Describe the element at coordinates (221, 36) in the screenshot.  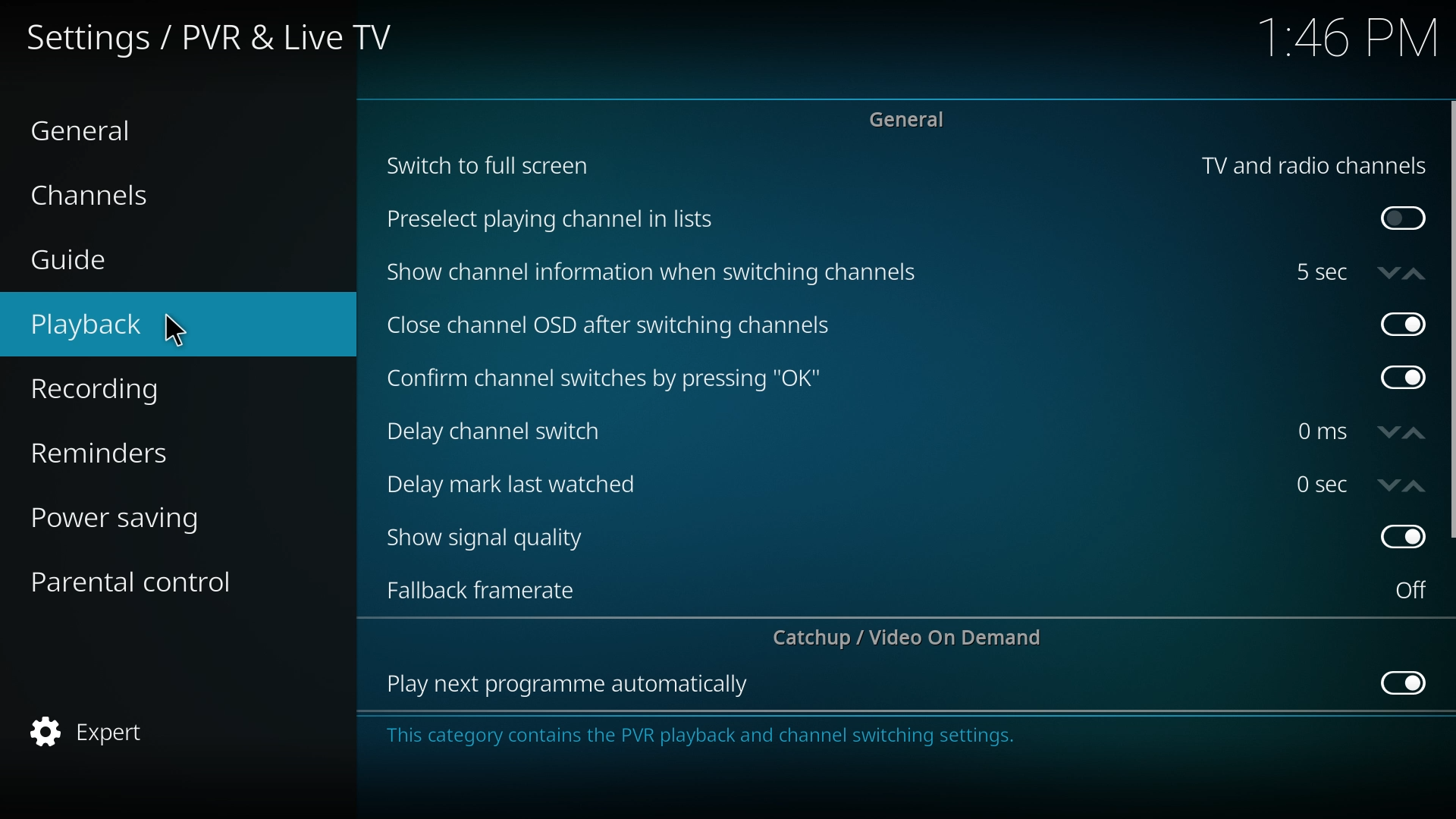
I see `settings/pvr and live tv` at that location.